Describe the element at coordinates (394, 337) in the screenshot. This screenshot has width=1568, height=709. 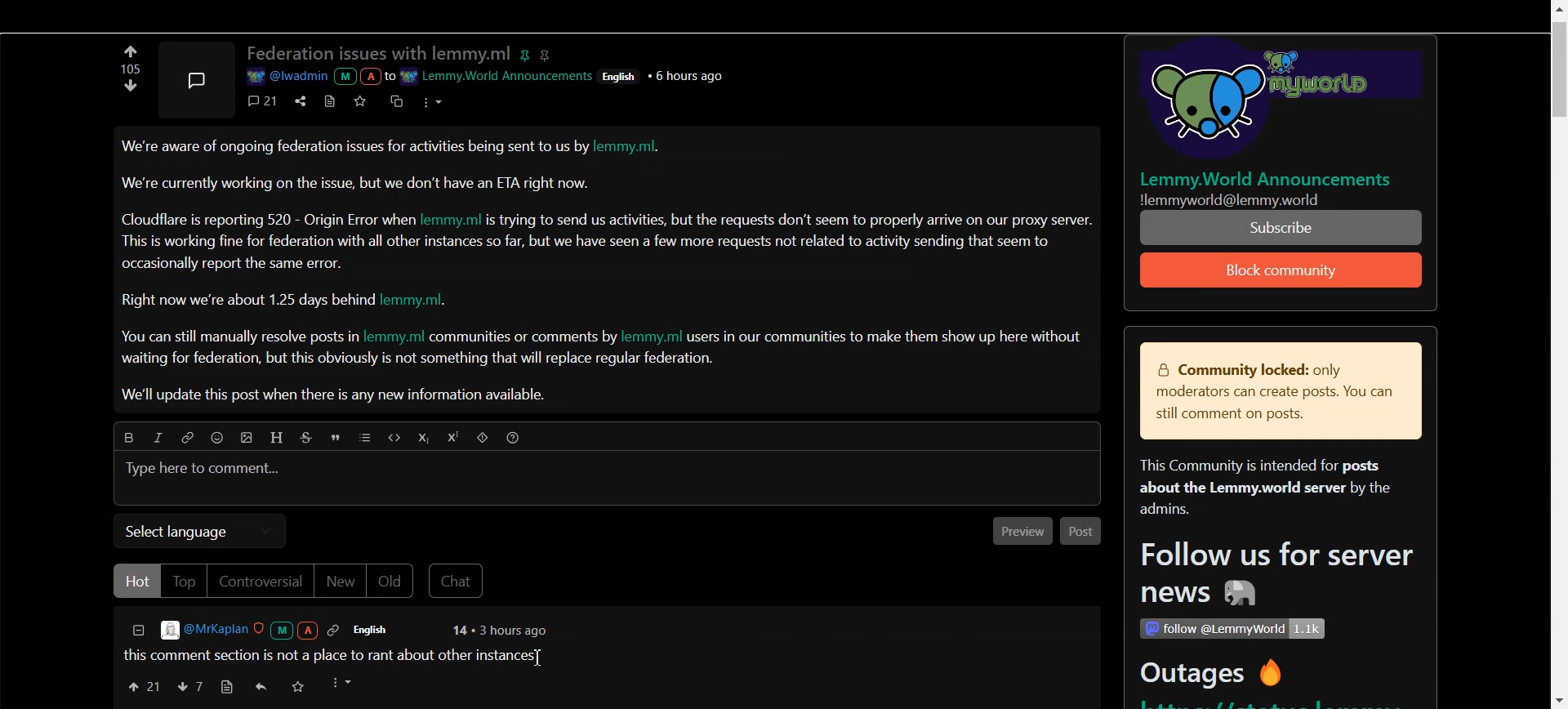
I see `lemmy.ml` at that location.